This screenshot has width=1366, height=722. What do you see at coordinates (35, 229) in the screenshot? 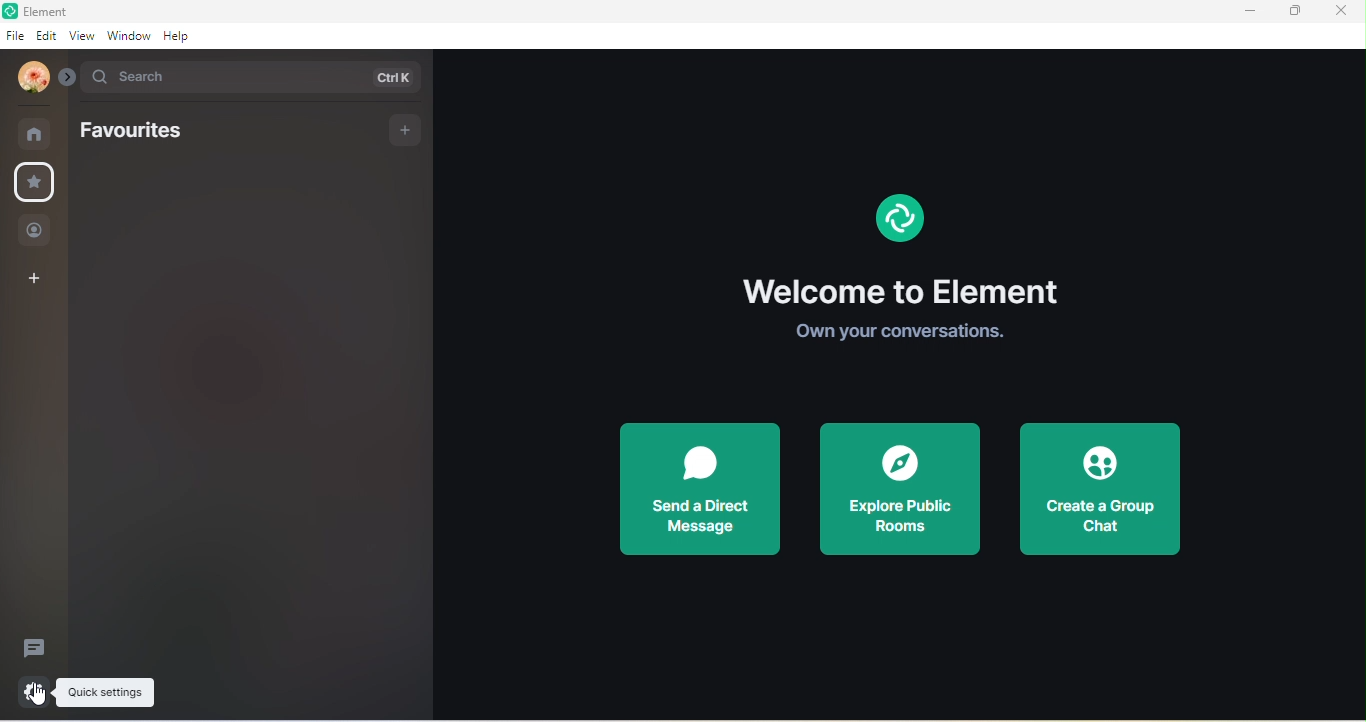
I see `people` at bounding box center [35, 229].